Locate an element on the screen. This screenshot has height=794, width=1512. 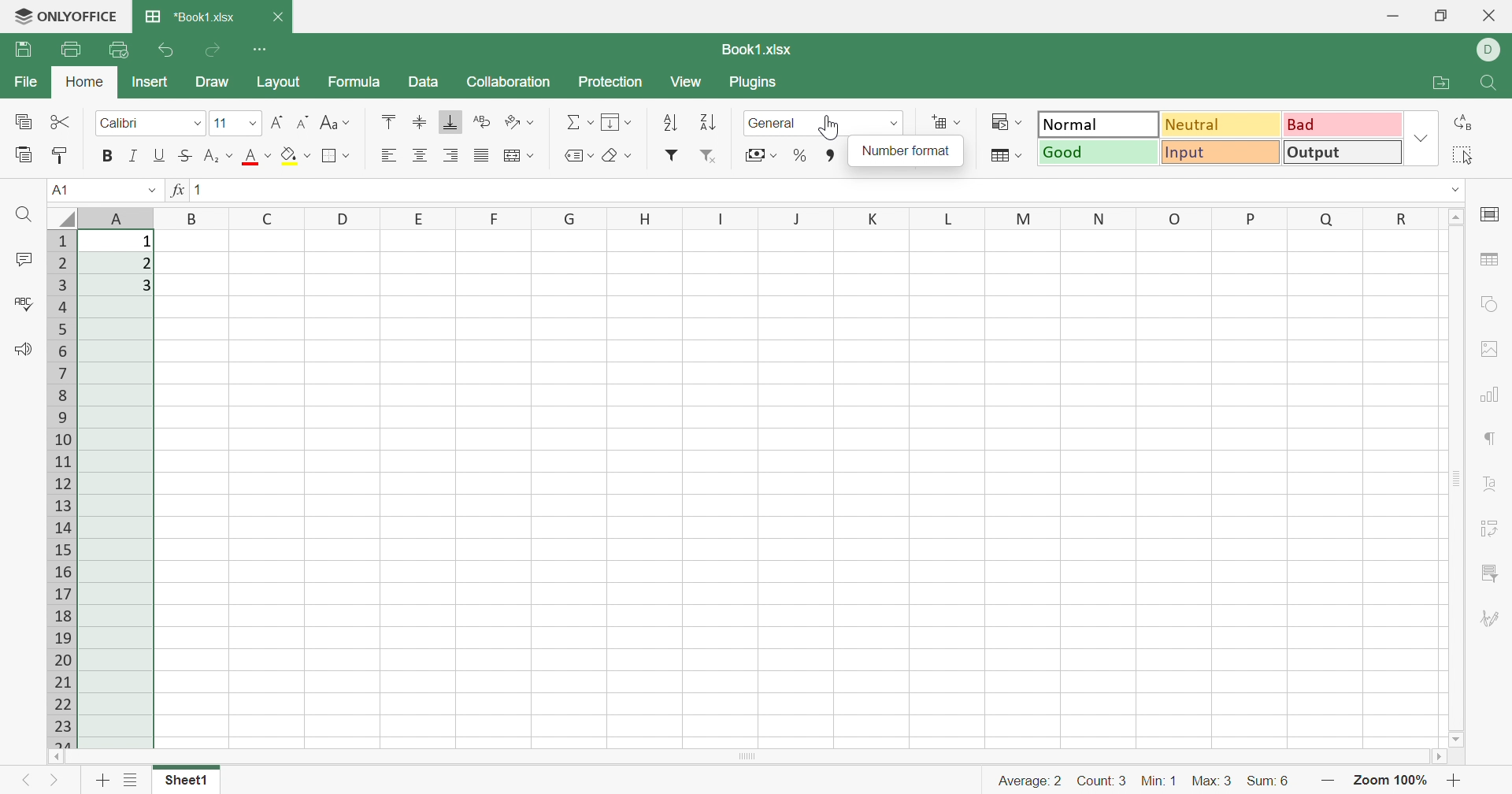
Slicer settings is located at coordinates (1488, 573).